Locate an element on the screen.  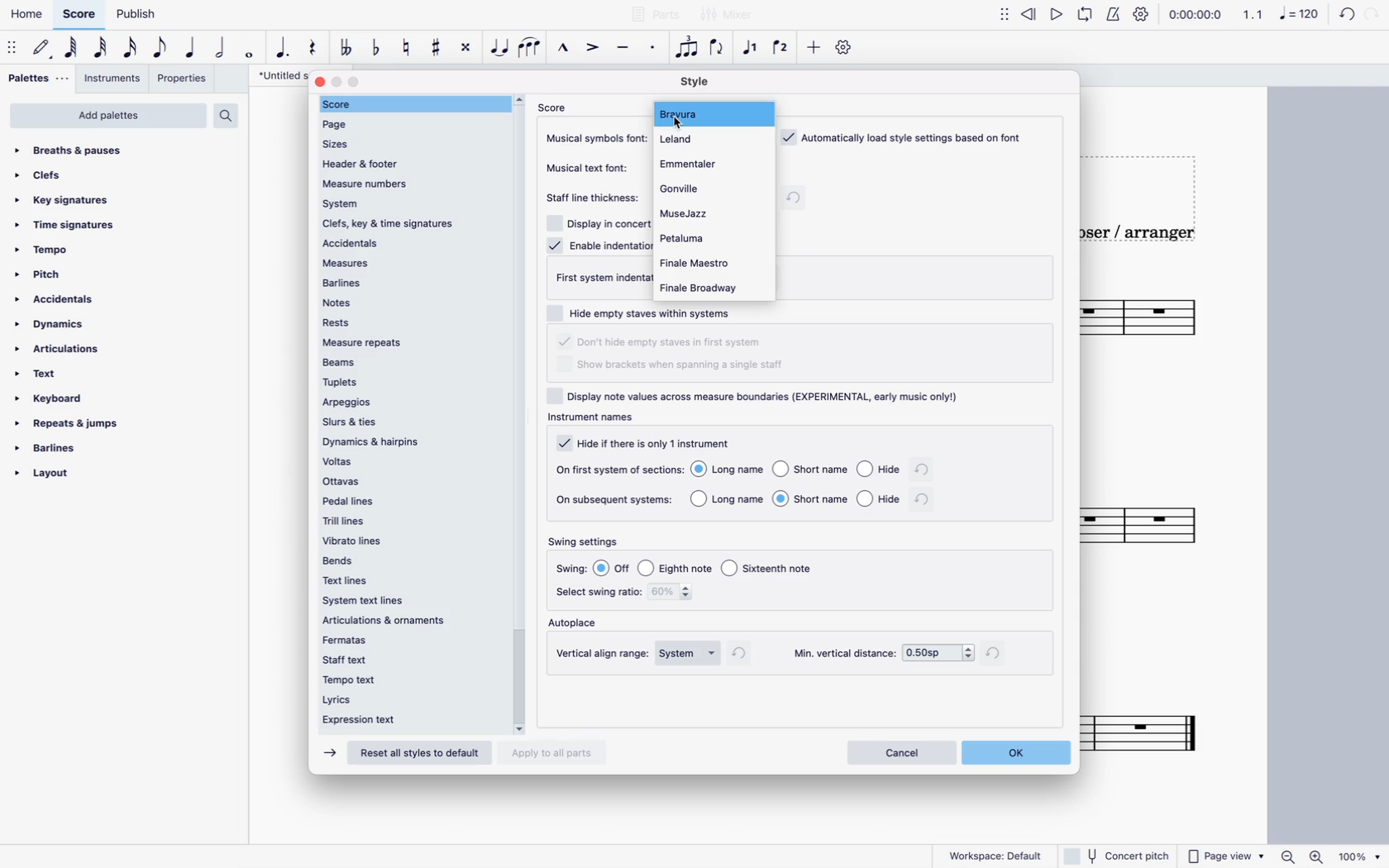
staccato is located at coordinates (652, 53).